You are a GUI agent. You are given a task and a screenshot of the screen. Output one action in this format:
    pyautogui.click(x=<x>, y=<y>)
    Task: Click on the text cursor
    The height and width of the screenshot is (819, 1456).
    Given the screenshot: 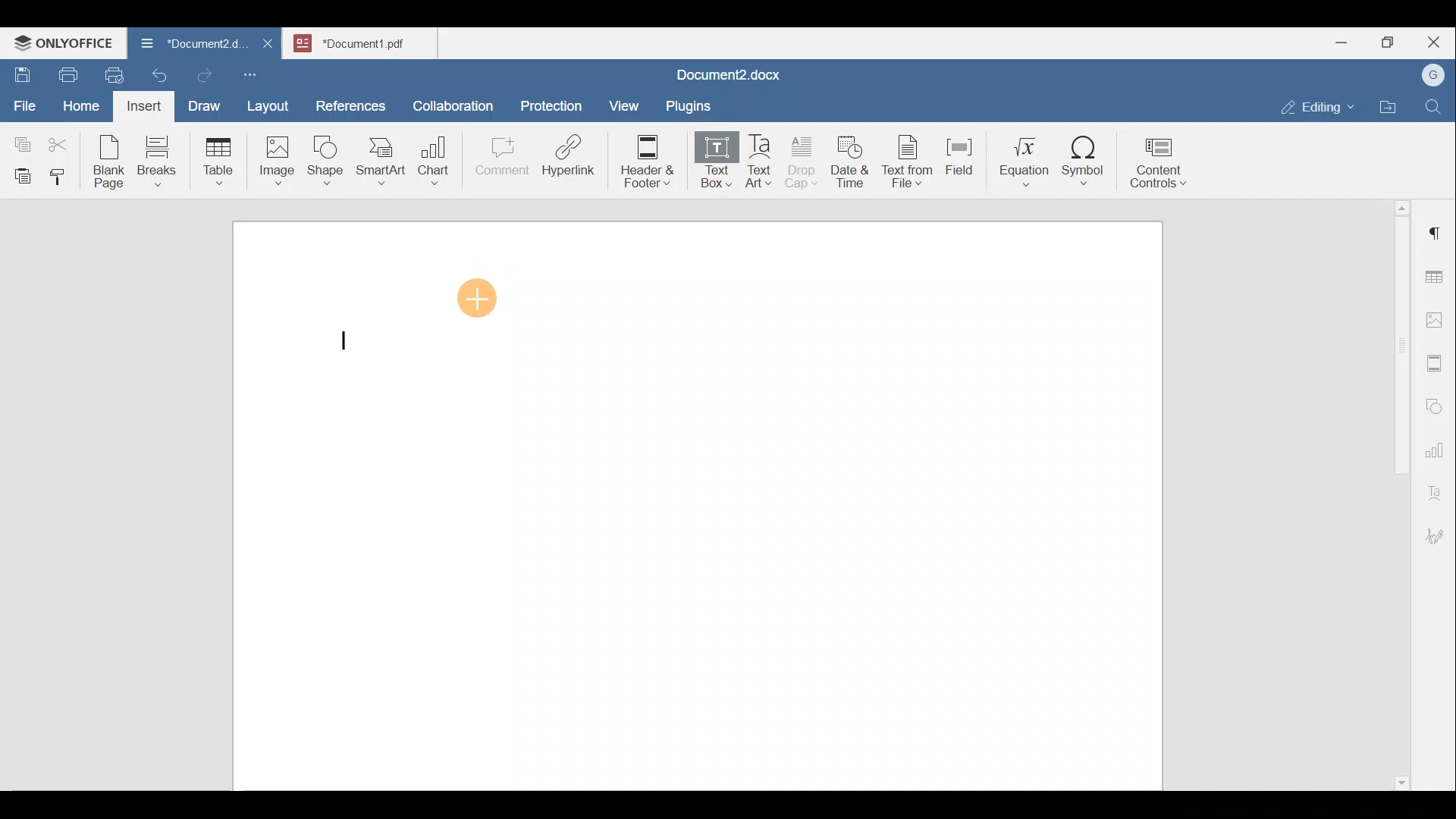 What is the action you would take?
    pyautogui.click(x=350, y=342)
    